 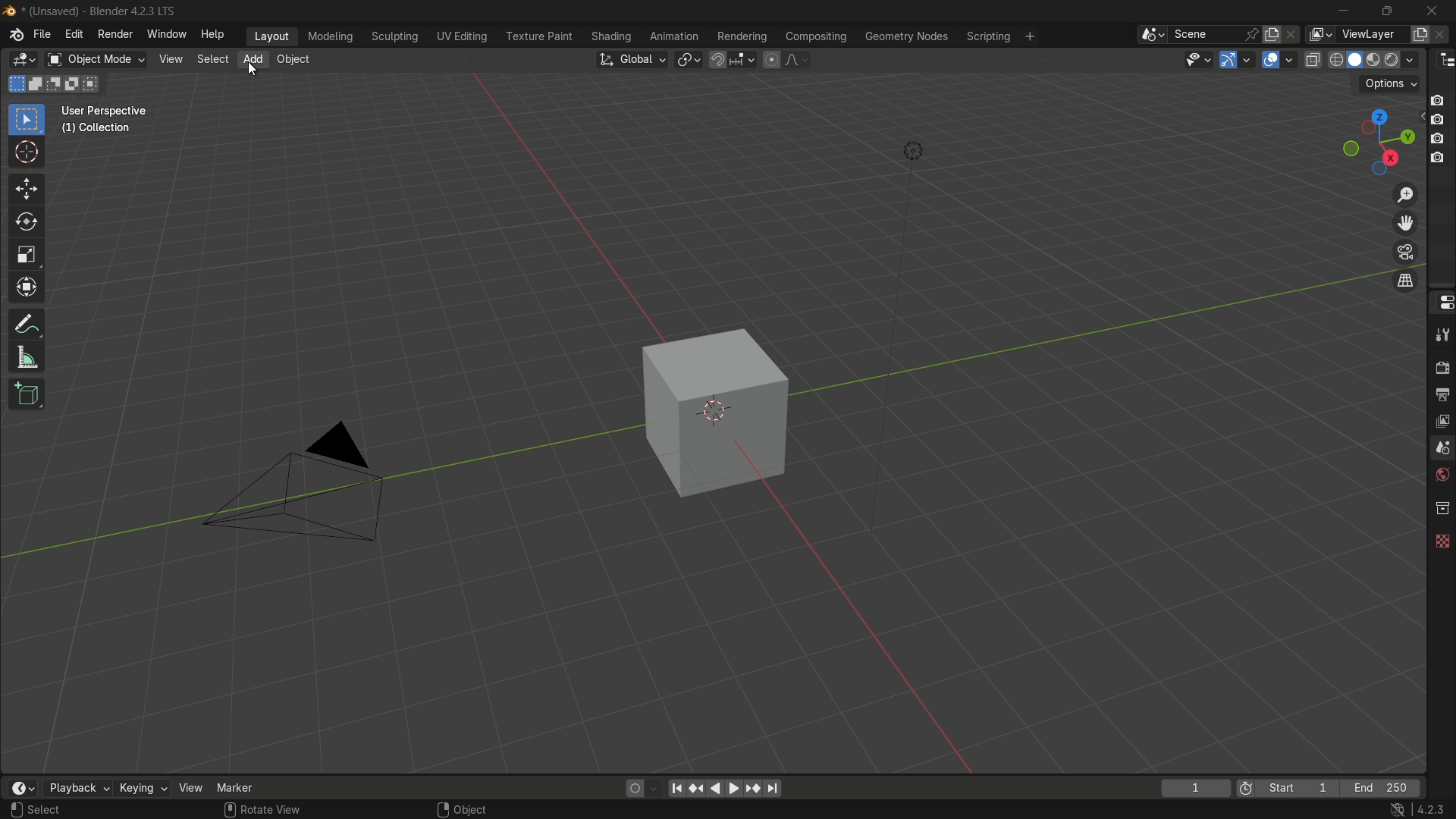 What do you see at coordinates (27, 189) in the screenshot?
I see `move` at bounding box center [27, 189].